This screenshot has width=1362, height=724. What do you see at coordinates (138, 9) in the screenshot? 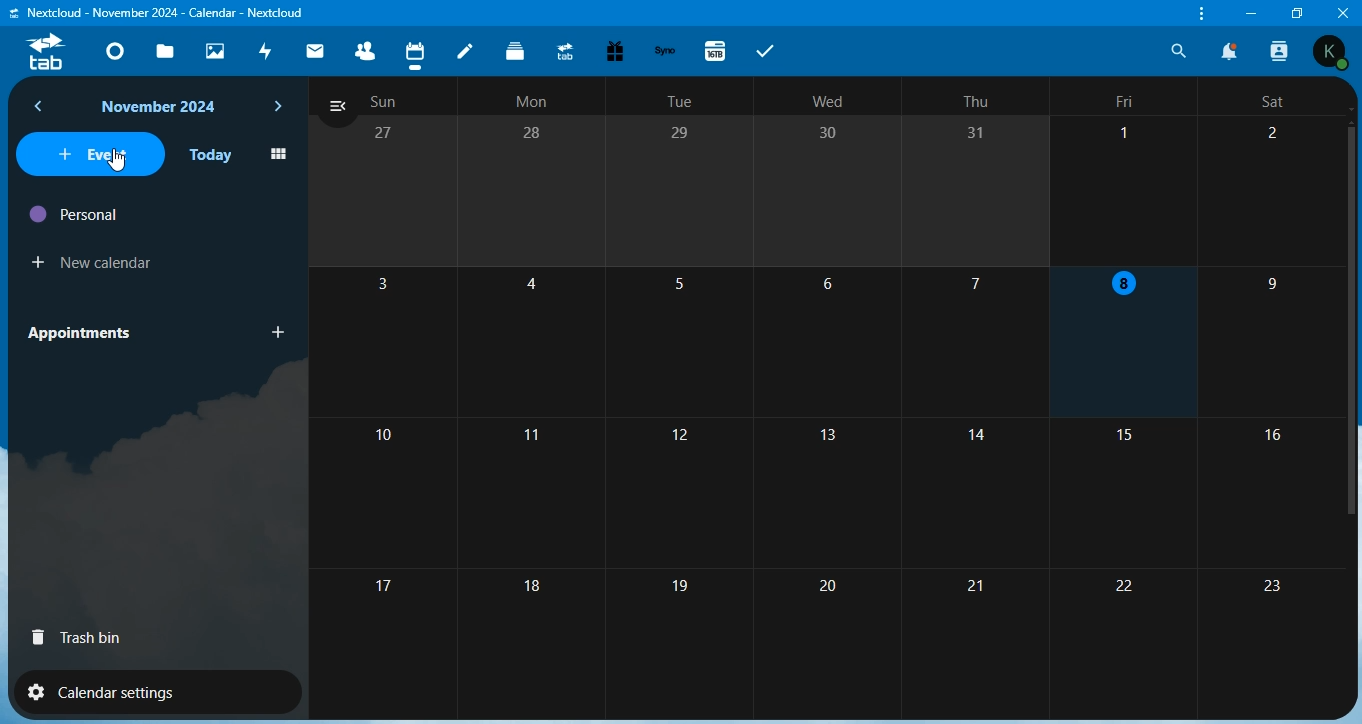
I see `'Nextcloud - Dashboard - Nextcloud` at bounding box center [138, 9].